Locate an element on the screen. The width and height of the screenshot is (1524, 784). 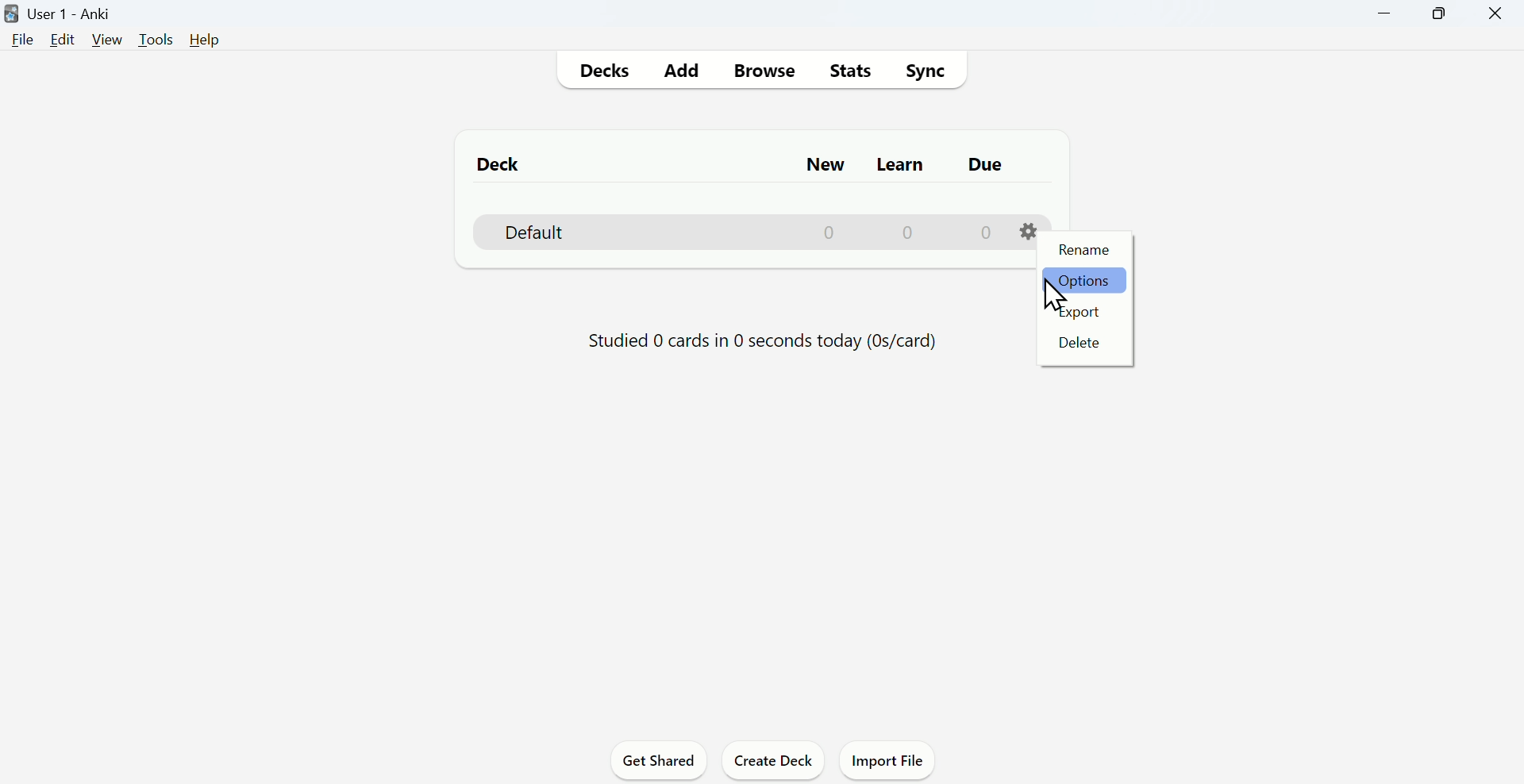
File is located at coordinates (22, 43).